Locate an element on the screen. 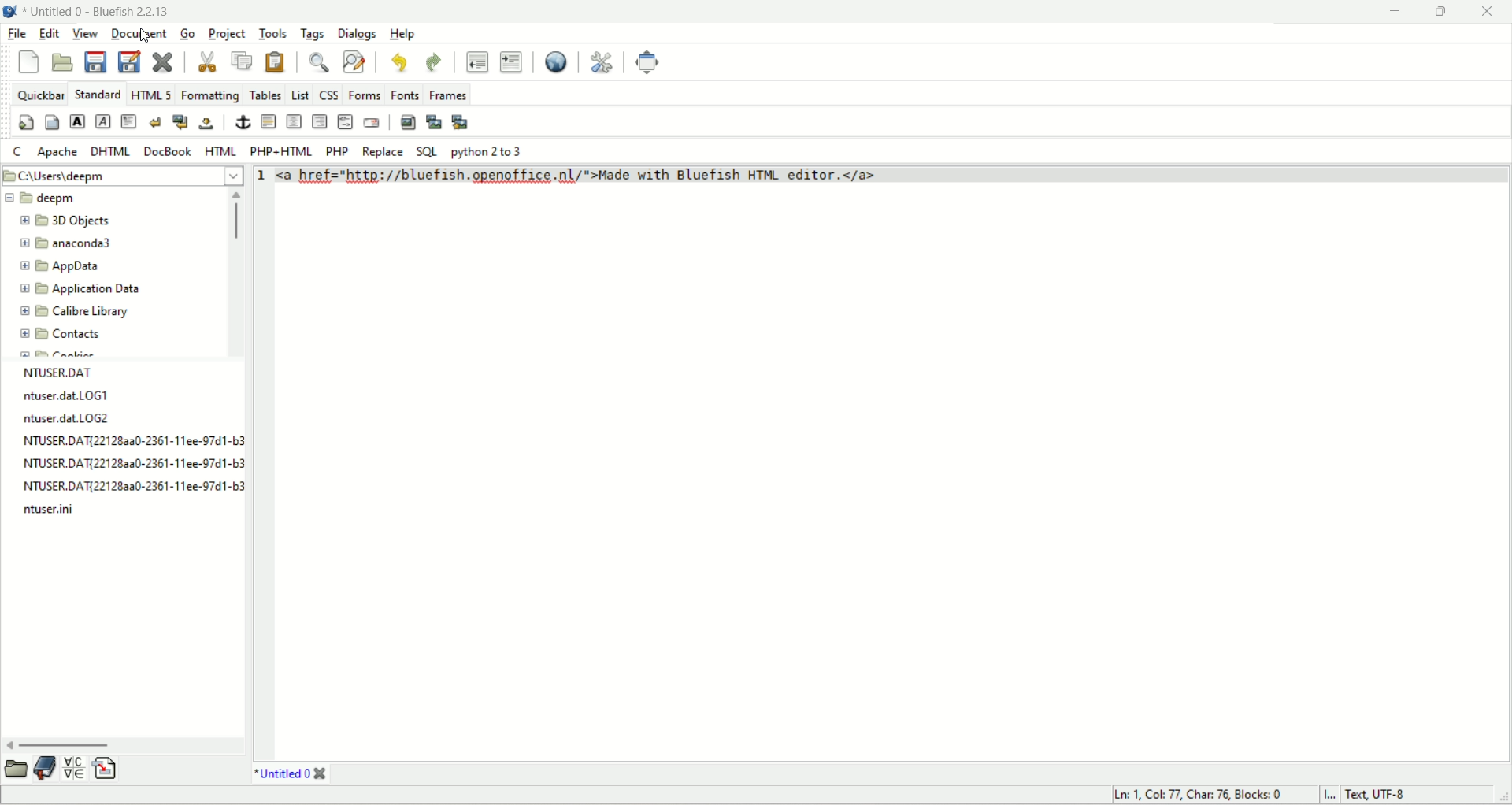 This screenshot has height=805, width=1512. logo is located at coordinates (10, 12).